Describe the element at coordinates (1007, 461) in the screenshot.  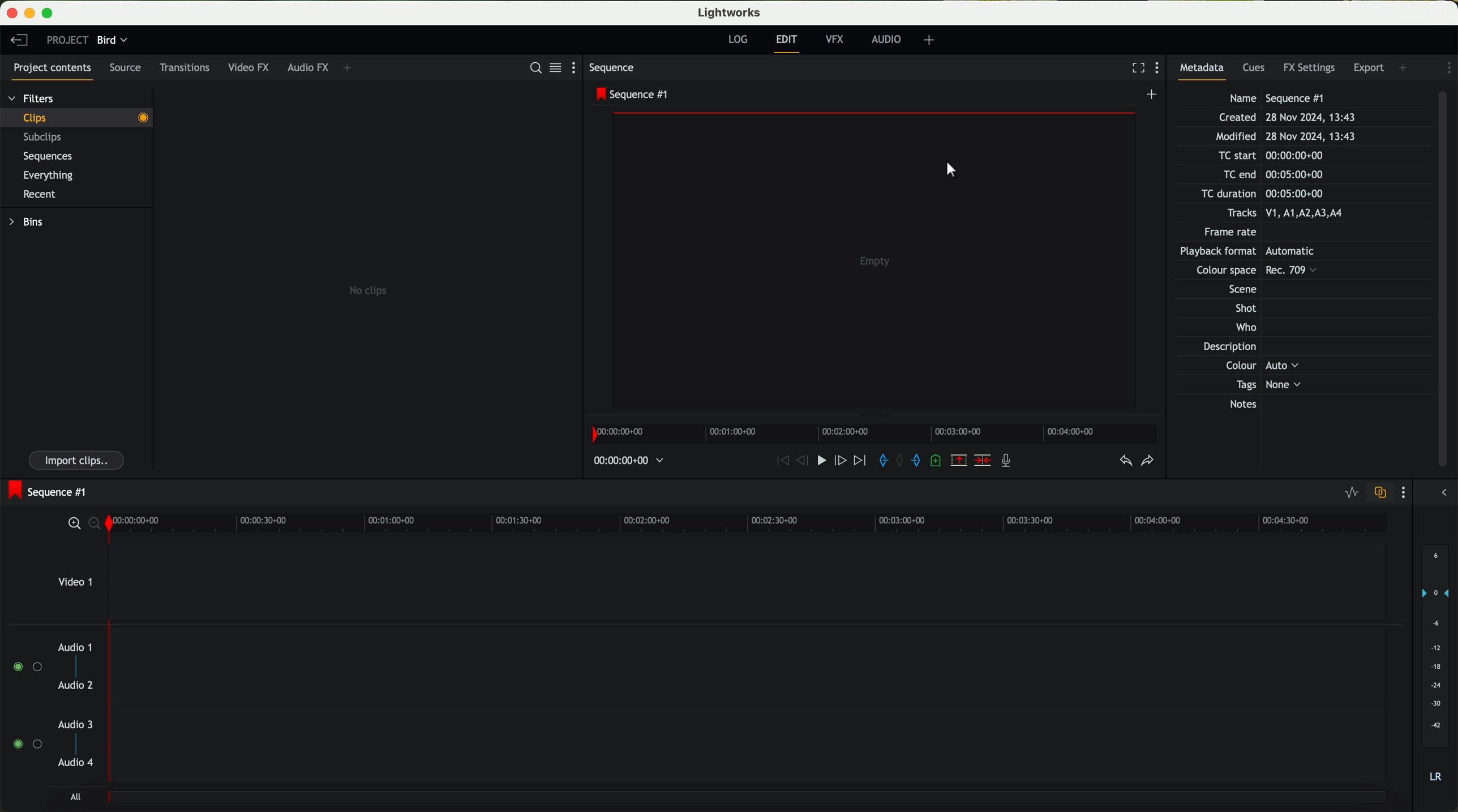
I see `voice record` at that location.